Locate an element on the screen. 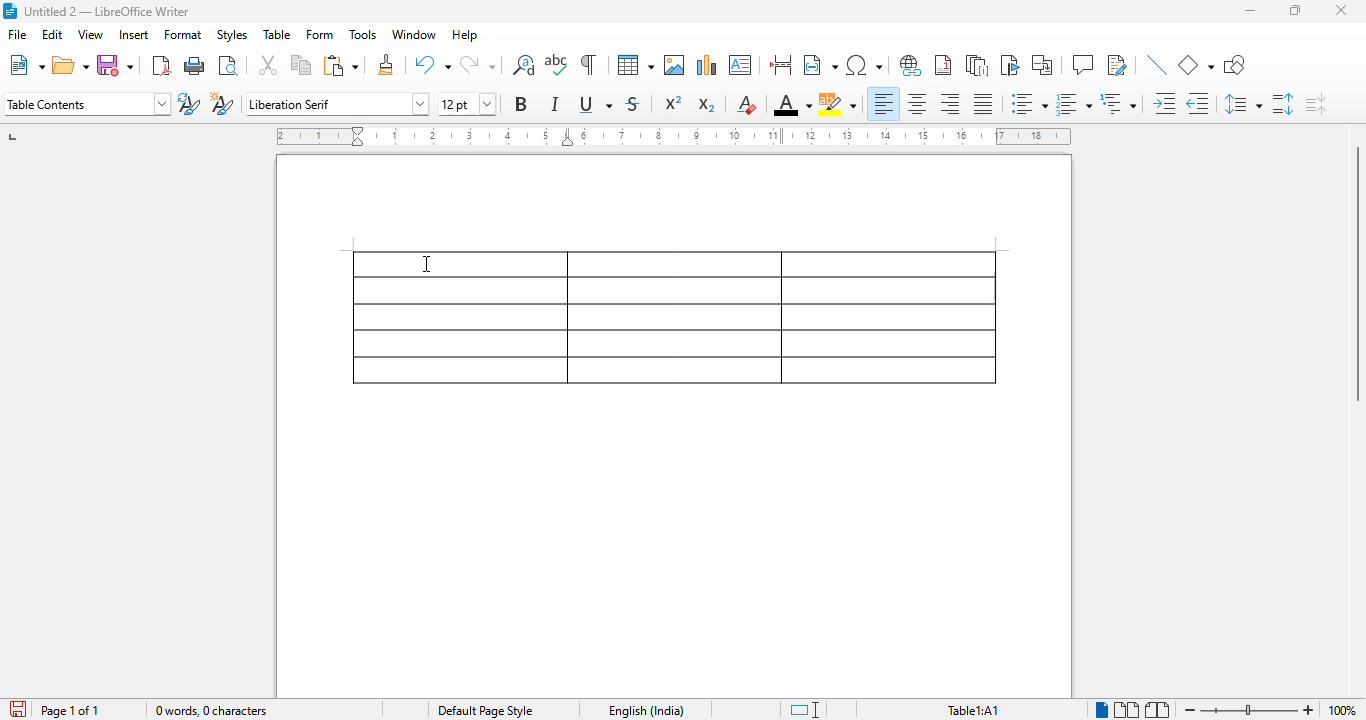 This screenshot has height=720, width=1366. insert bookmark is located at coordinates (1011, 65).